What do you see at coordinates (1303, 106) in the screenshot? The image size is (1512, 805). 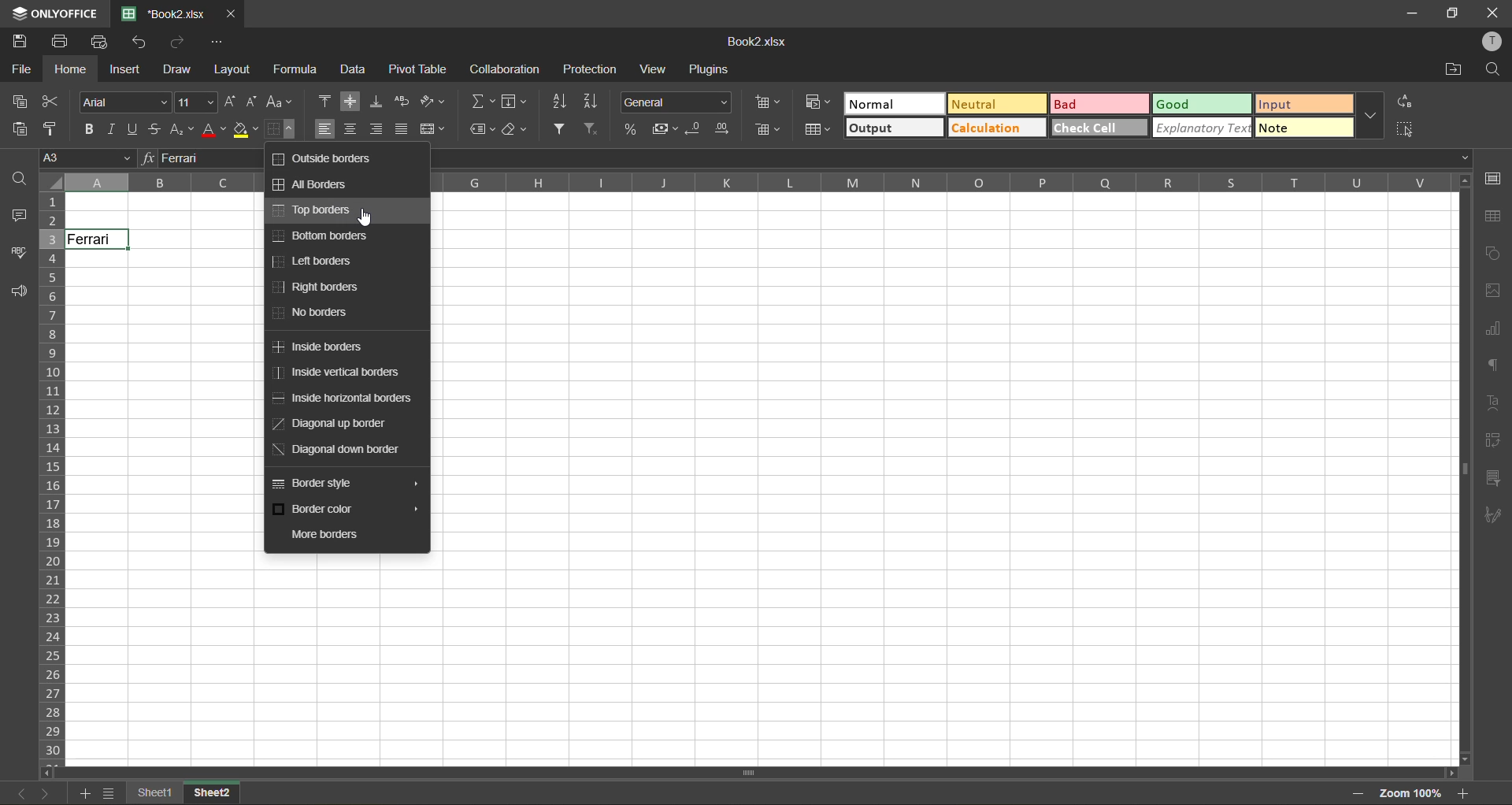 I see `input` at bounding box center [1303, 106].